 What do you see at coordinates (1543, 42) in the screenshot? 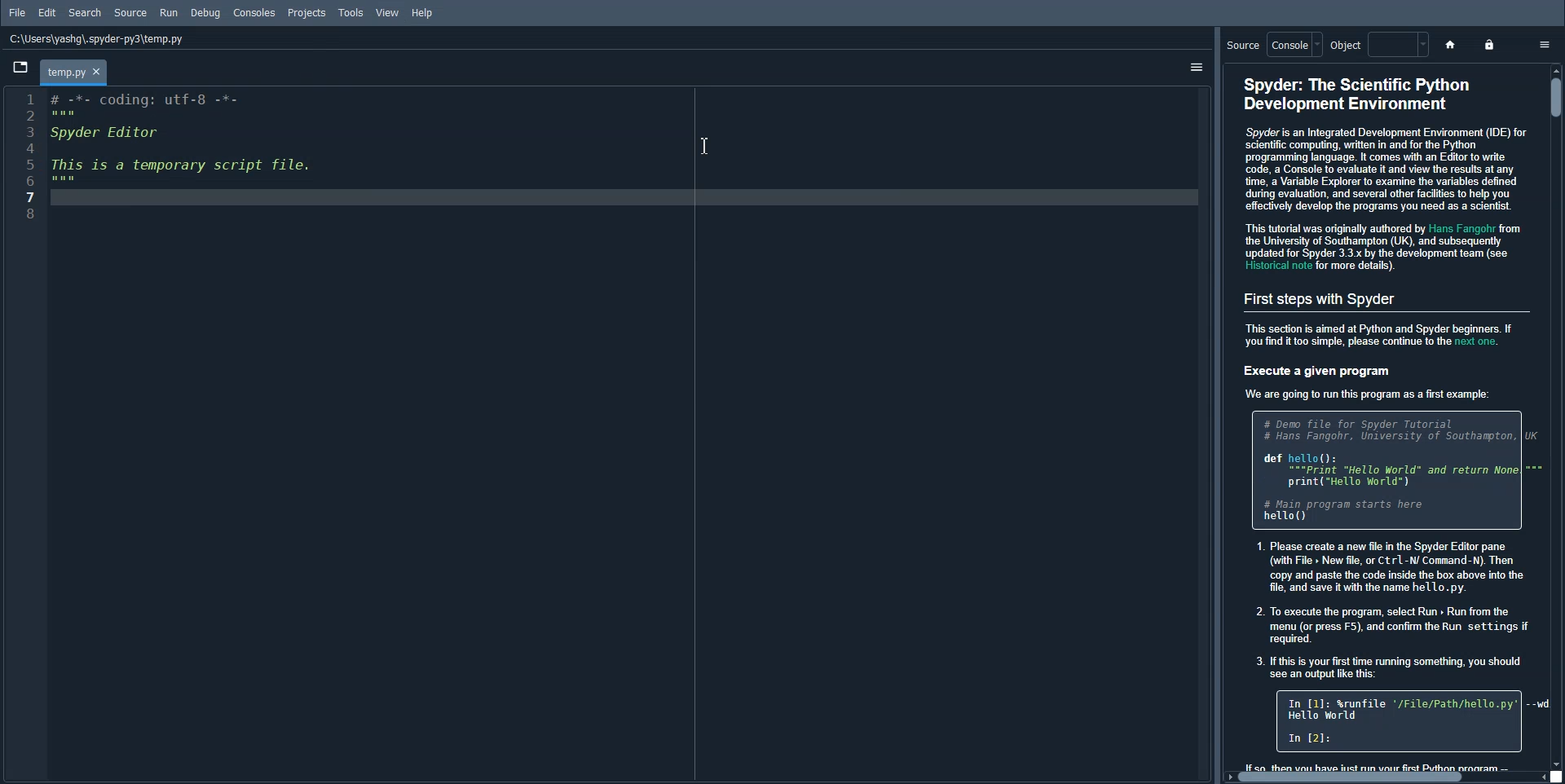
I see `Options` at bounding box center [1543, 42].